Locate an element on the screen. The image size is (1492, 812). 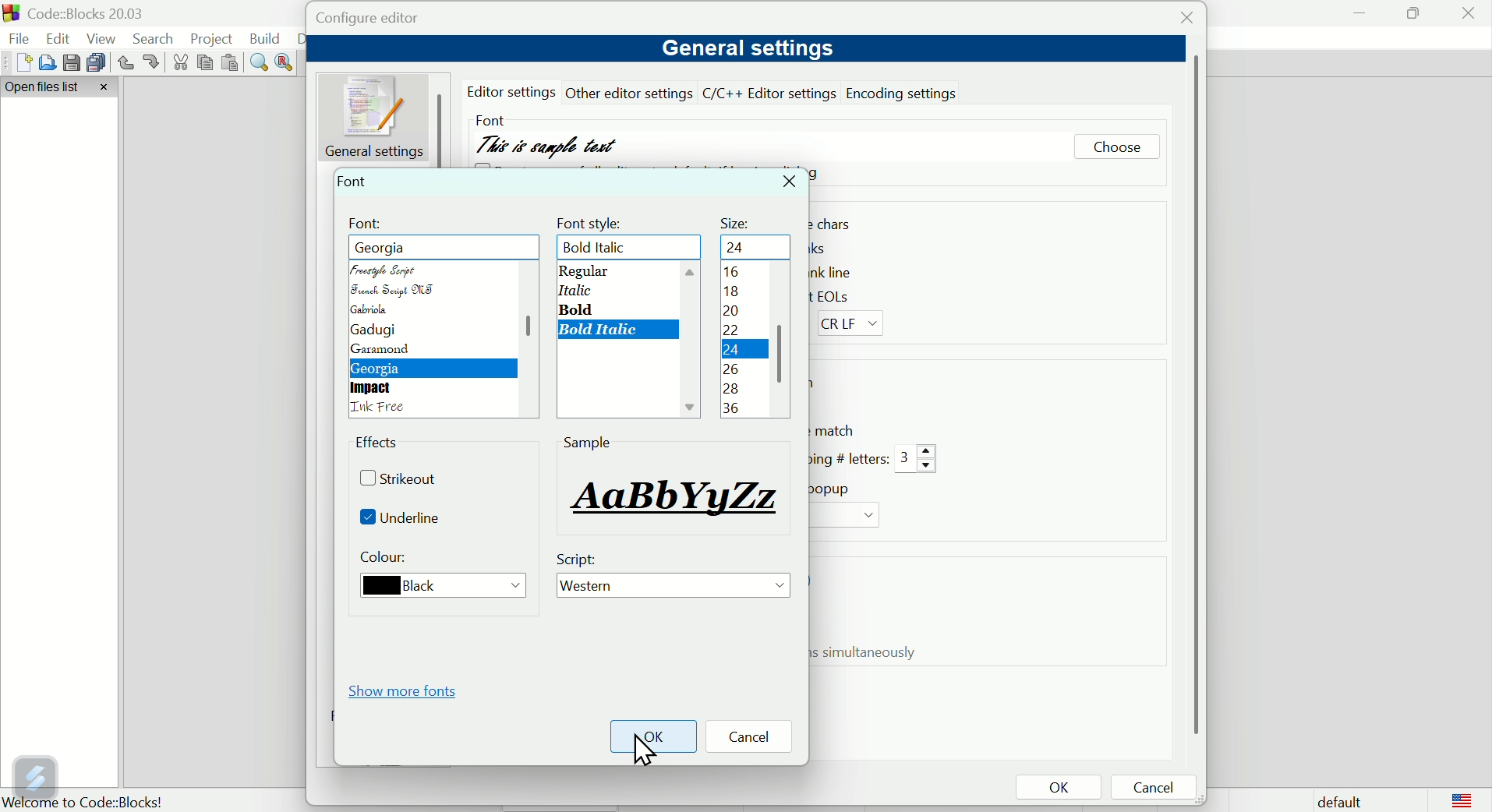
View is located at coordinates (104, 38).